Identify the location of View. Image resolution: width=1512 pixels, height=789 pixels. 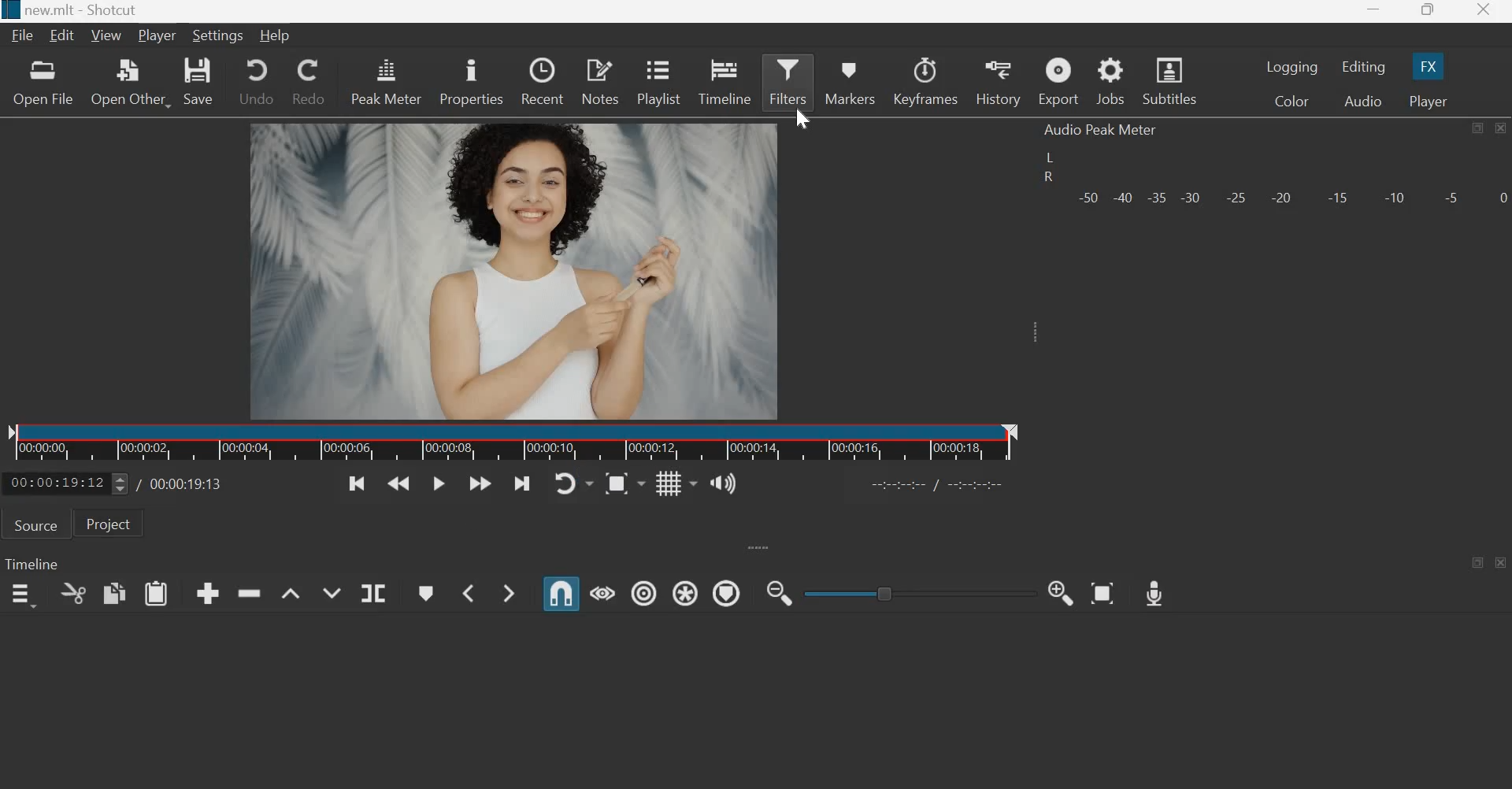
(109, 35).